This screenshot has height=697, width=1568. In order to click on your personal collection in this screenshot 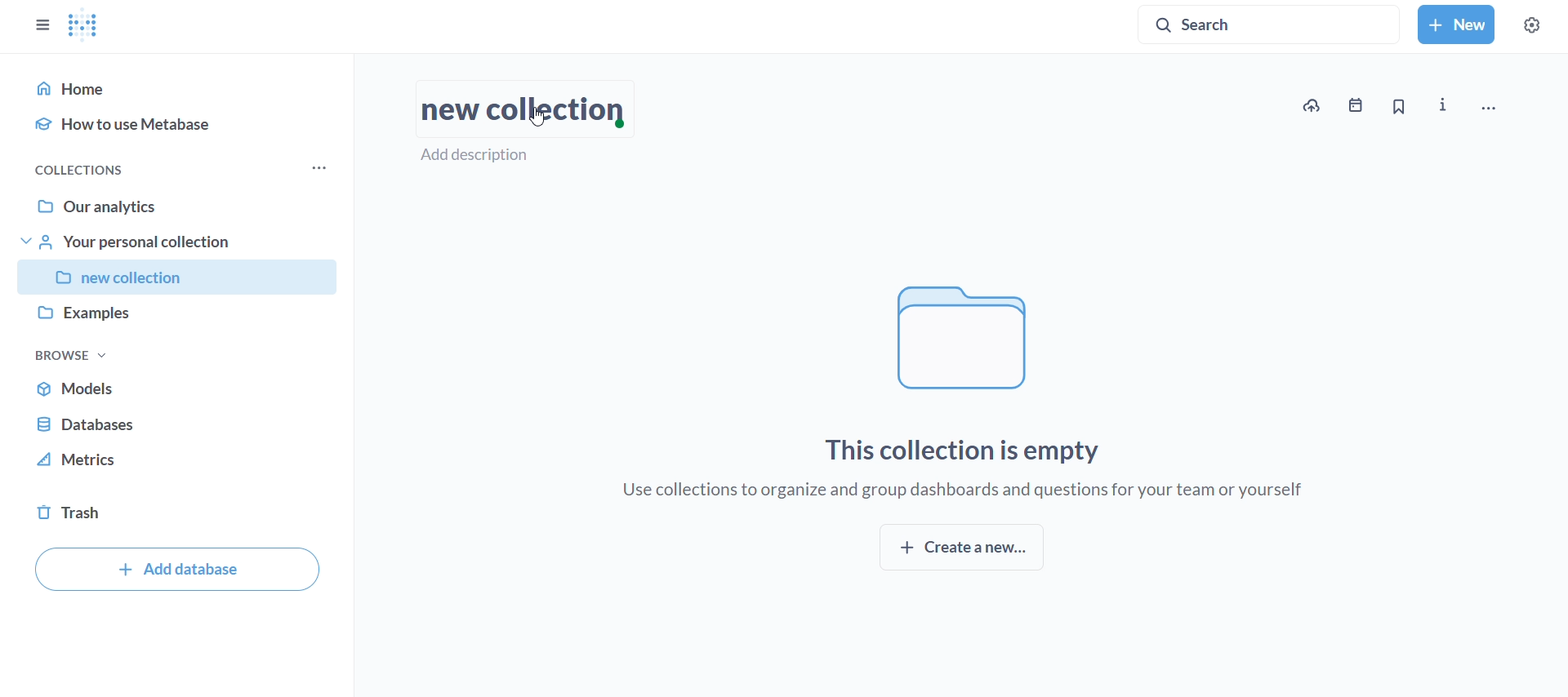, I will do `click(181, 242)`.